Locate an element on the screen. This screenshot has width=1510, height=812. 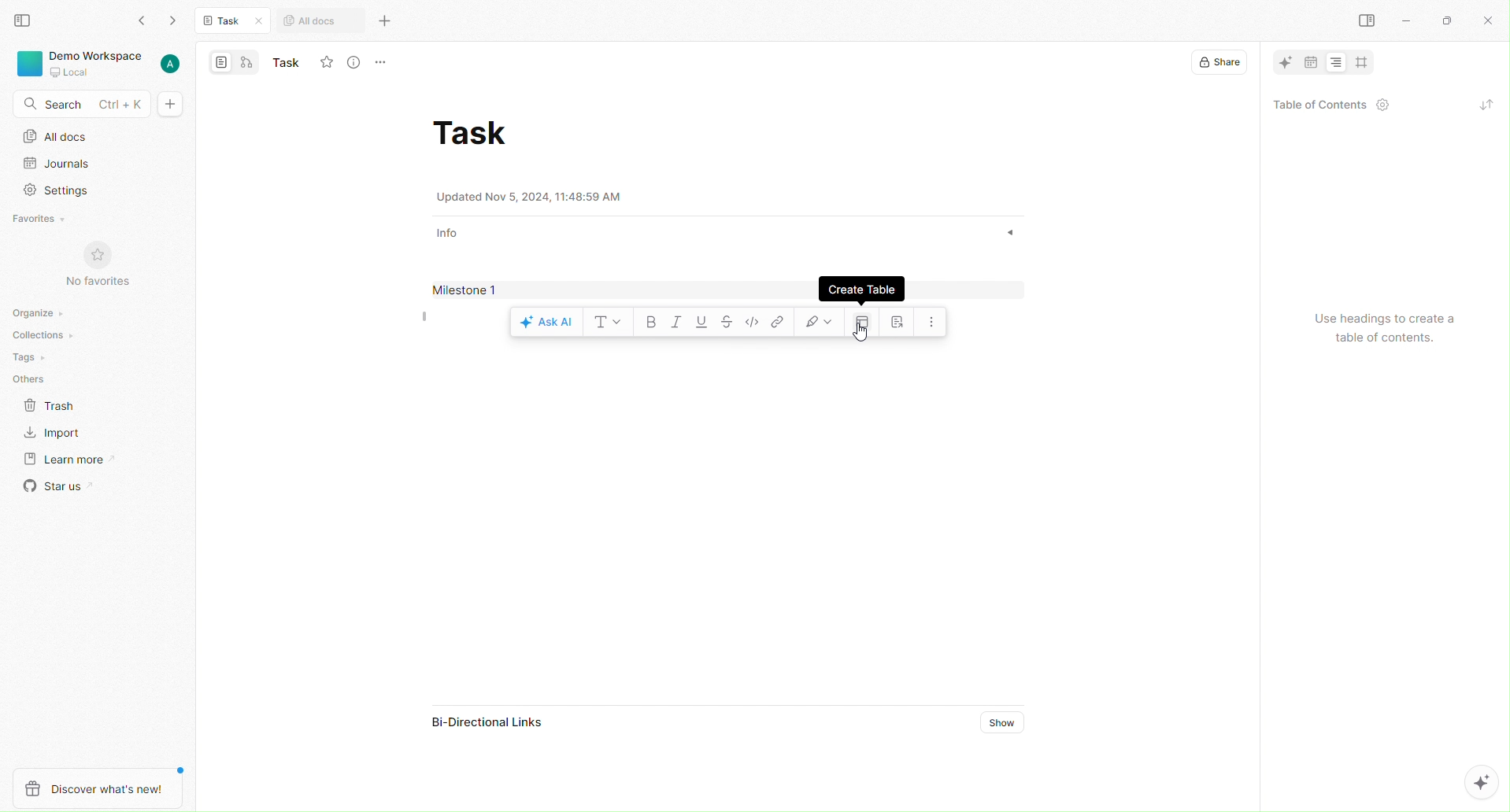
Underline is located at coordinates (700, 323).